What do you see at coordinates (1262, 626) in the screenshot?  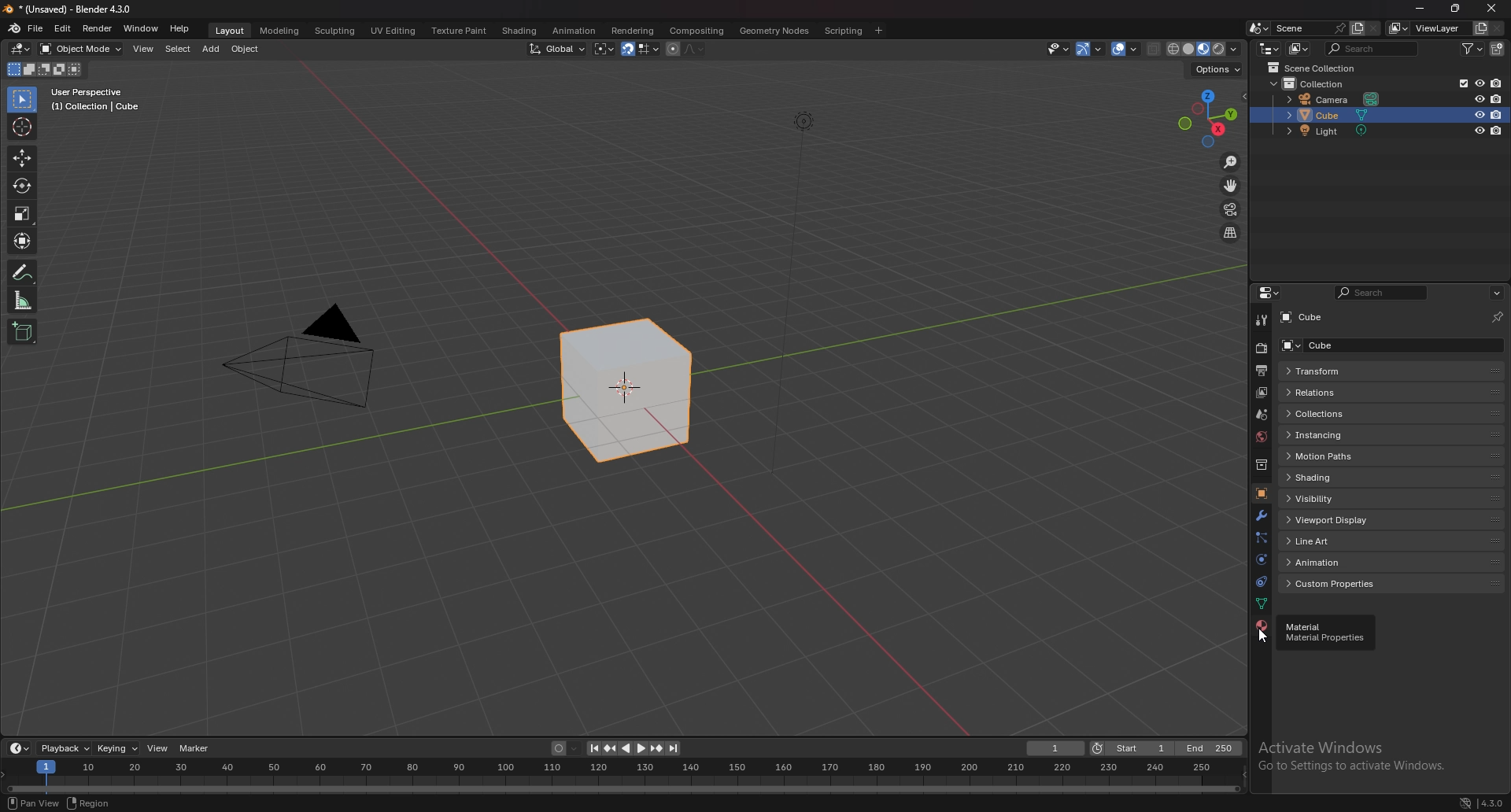 I see `material` at bounding box center [1262, 626].